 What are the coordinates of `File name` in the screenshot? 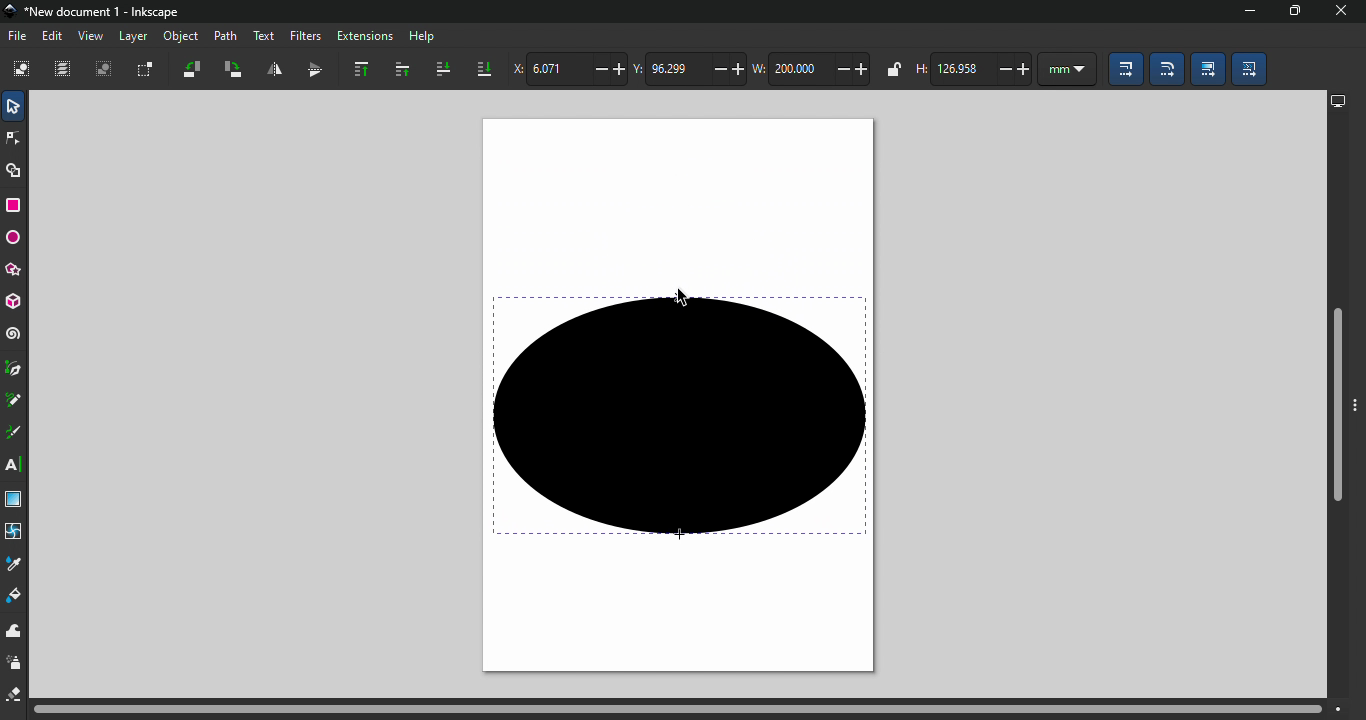 It's located at (95, 13).